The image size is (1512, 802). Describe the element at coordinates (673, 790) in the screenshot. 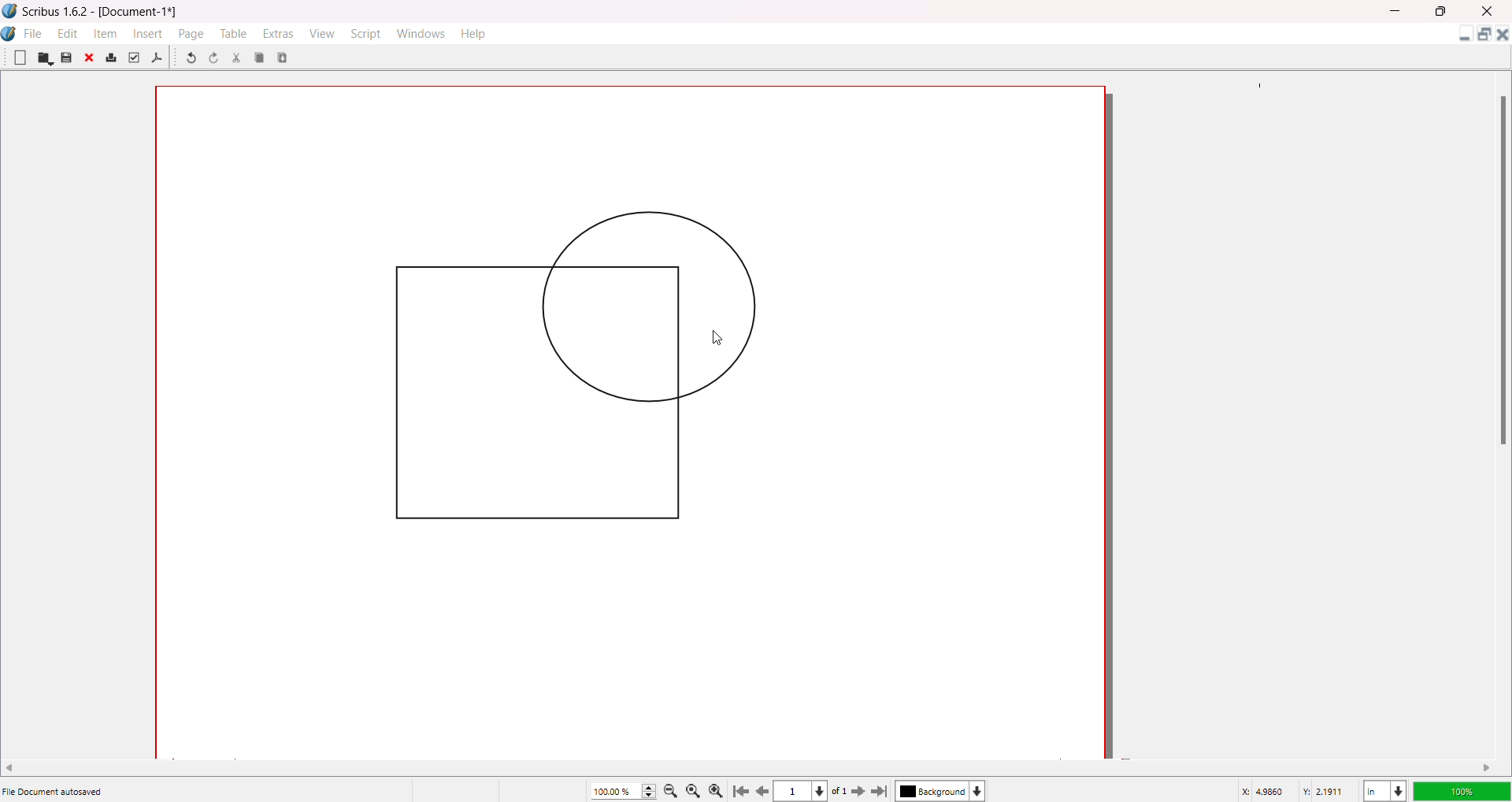

I see `Zoom out` at that location.